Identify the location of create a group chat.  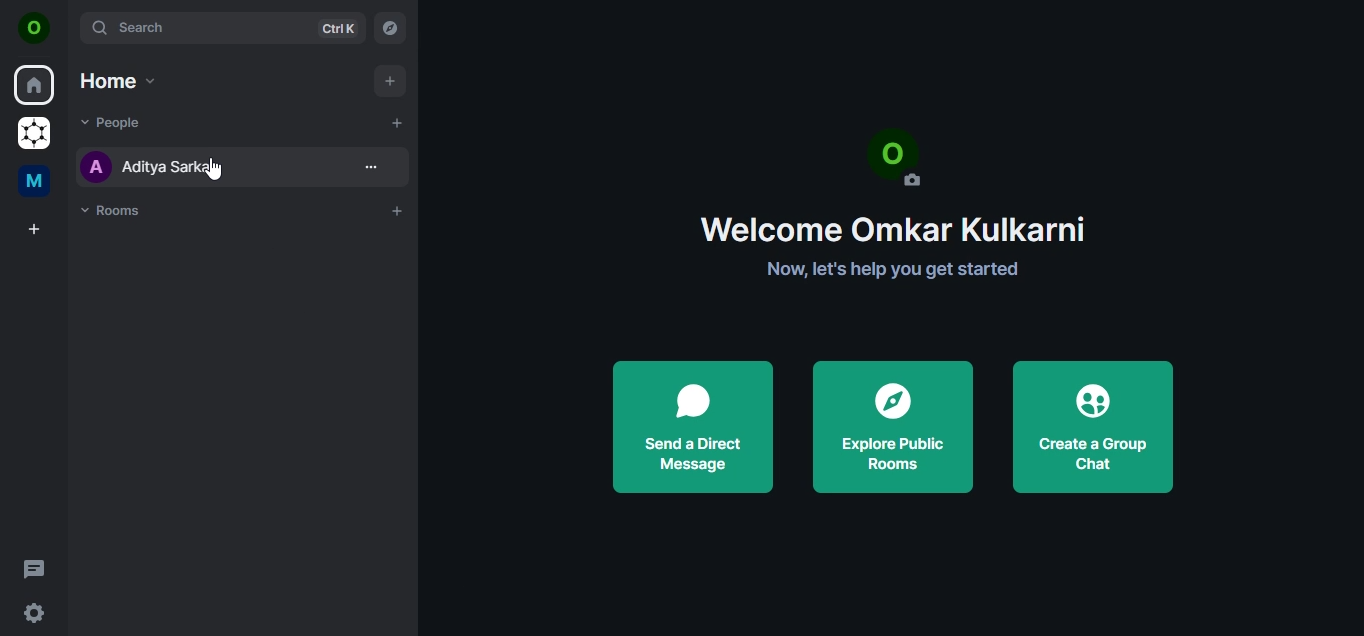
(1096, 424).